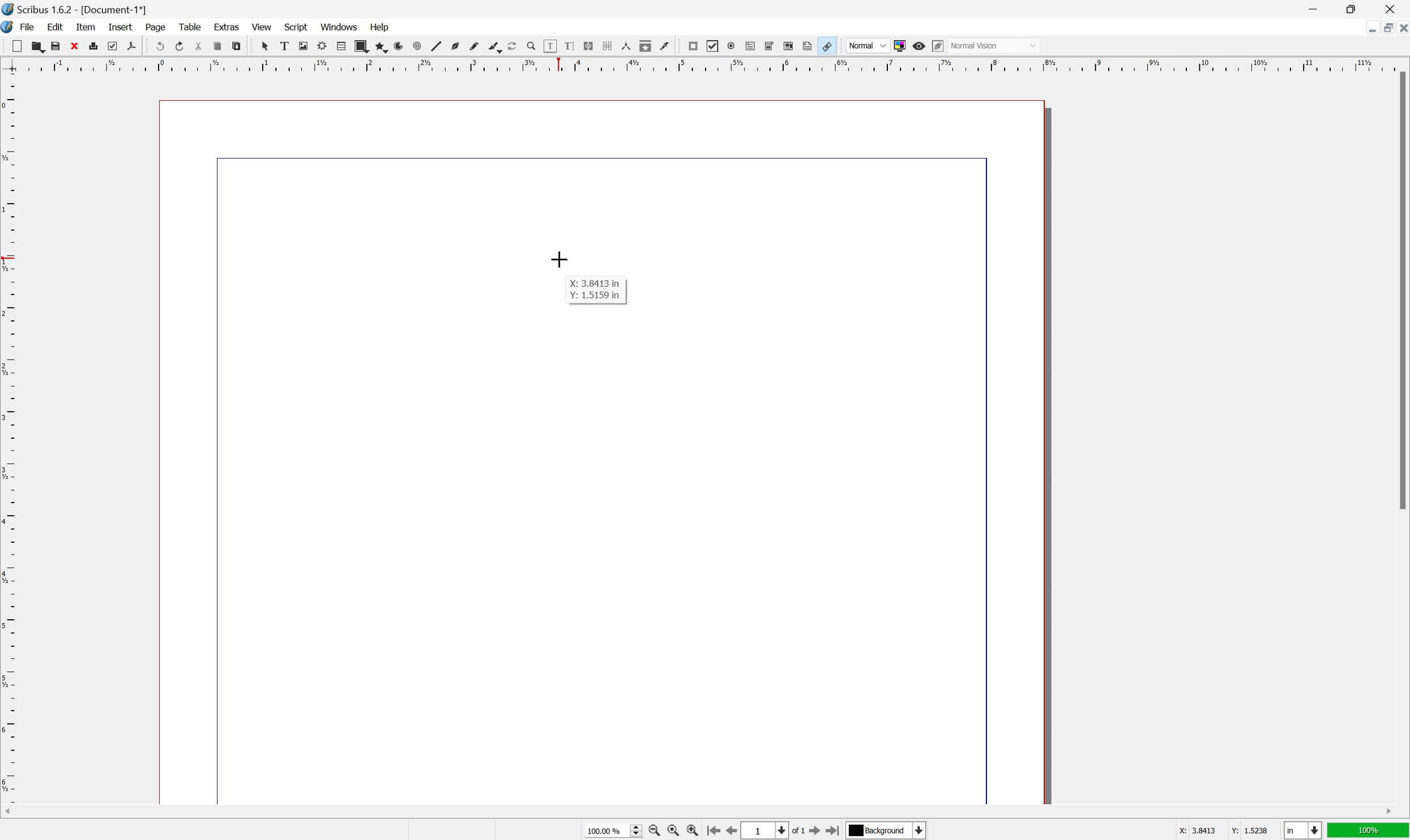 The height and width of the screenshot is (840, 1410). I want to click on edit text with story editor, so click(569, 46).